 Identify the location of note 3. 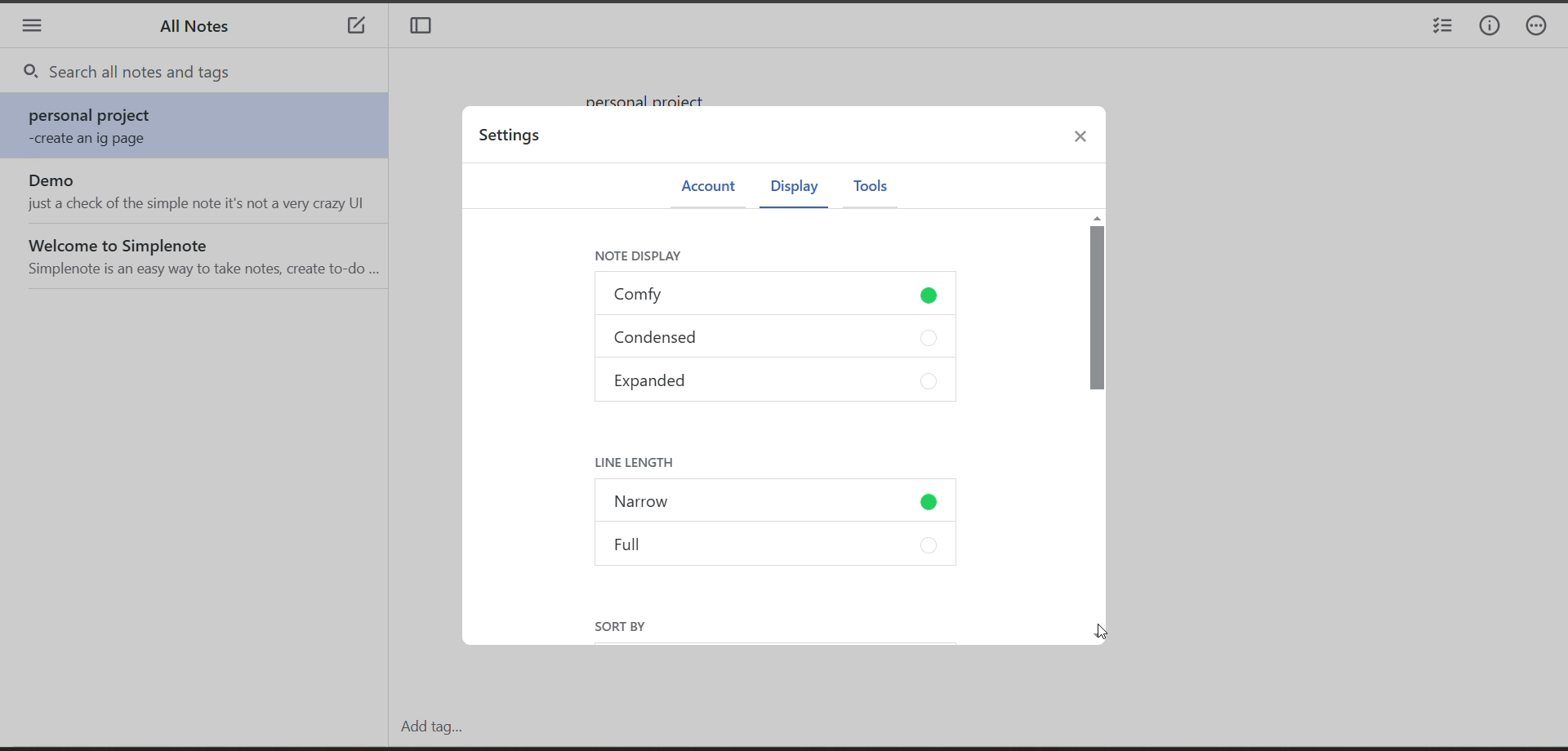
(200, 255).